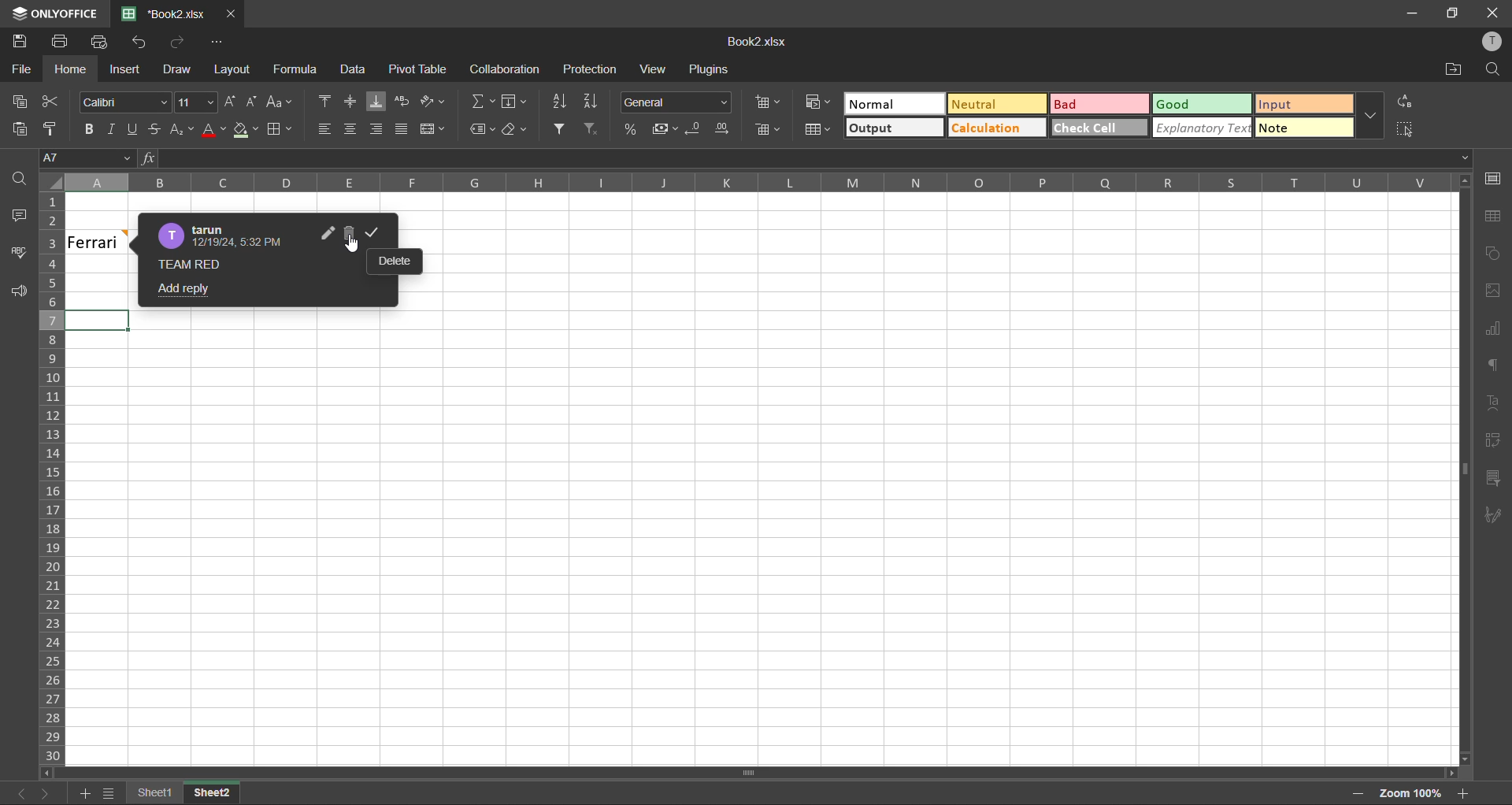  Describe the element at coordinates (680, 103) in the screenshot. I see `number format` at that location.